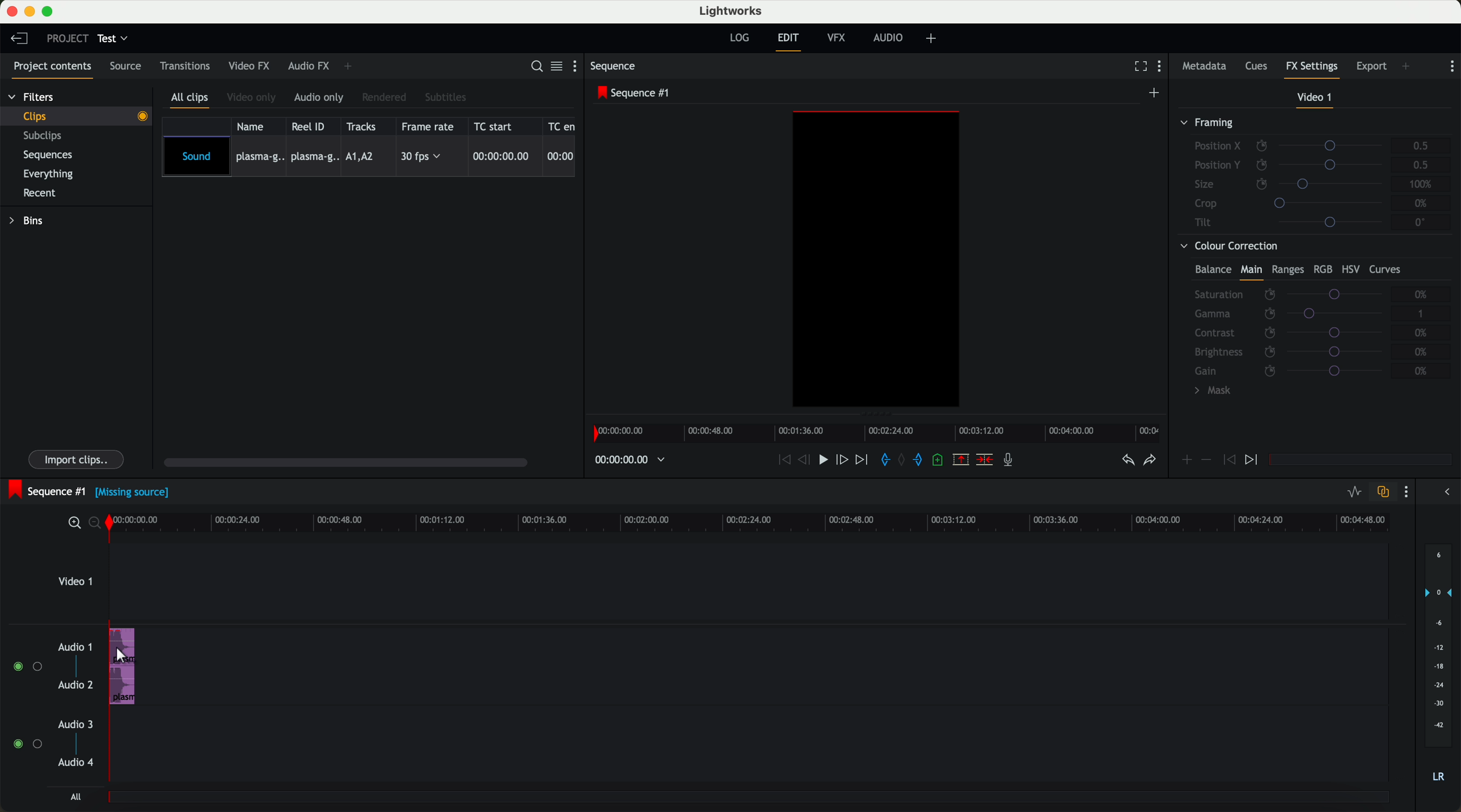  Describe the element at coordinates (788, 42) in the screenshot. I see `exit` at that location.